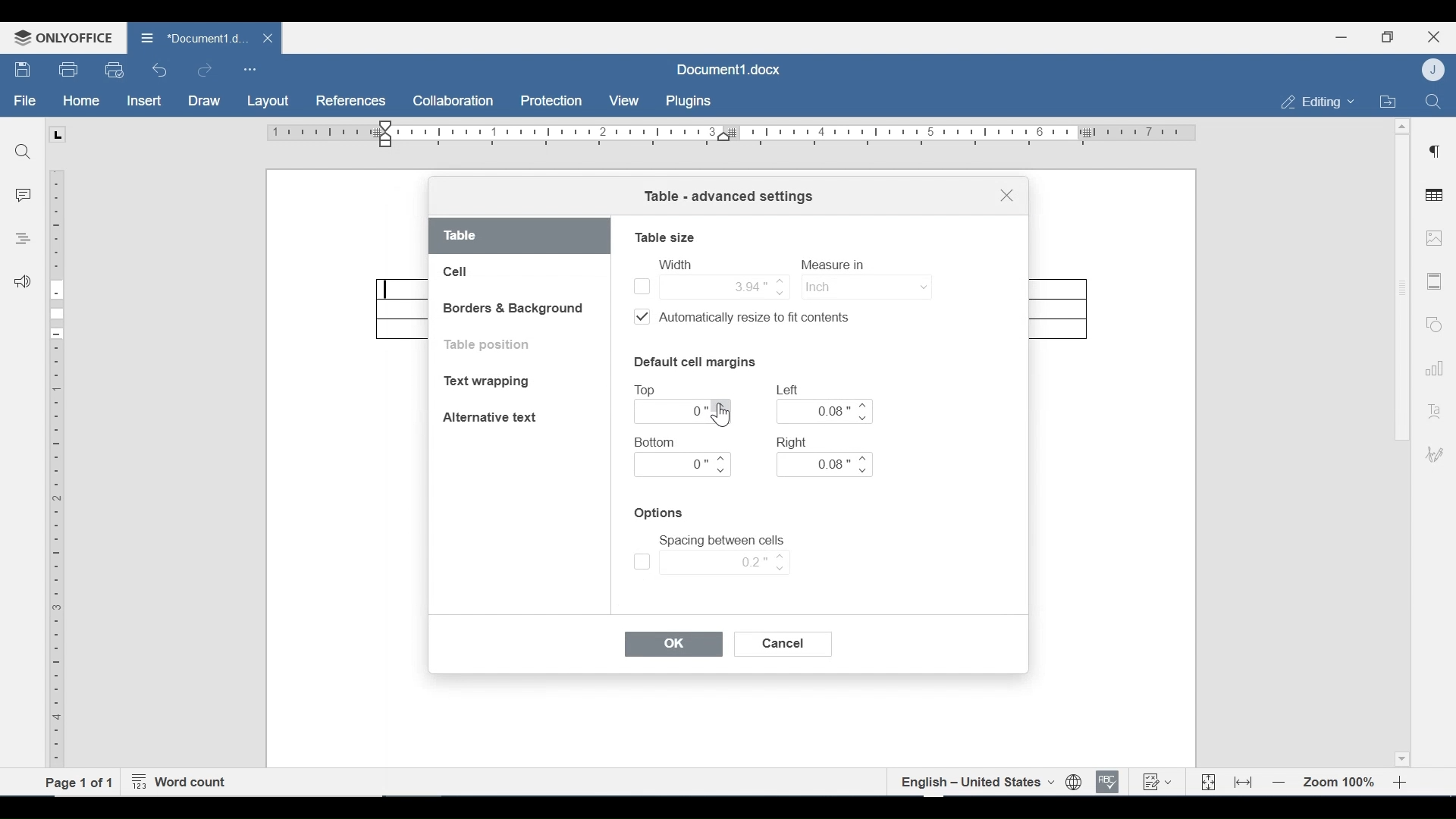  Describe the element at coordinates (683, 465) in the screenshot. I see `0` at that location.